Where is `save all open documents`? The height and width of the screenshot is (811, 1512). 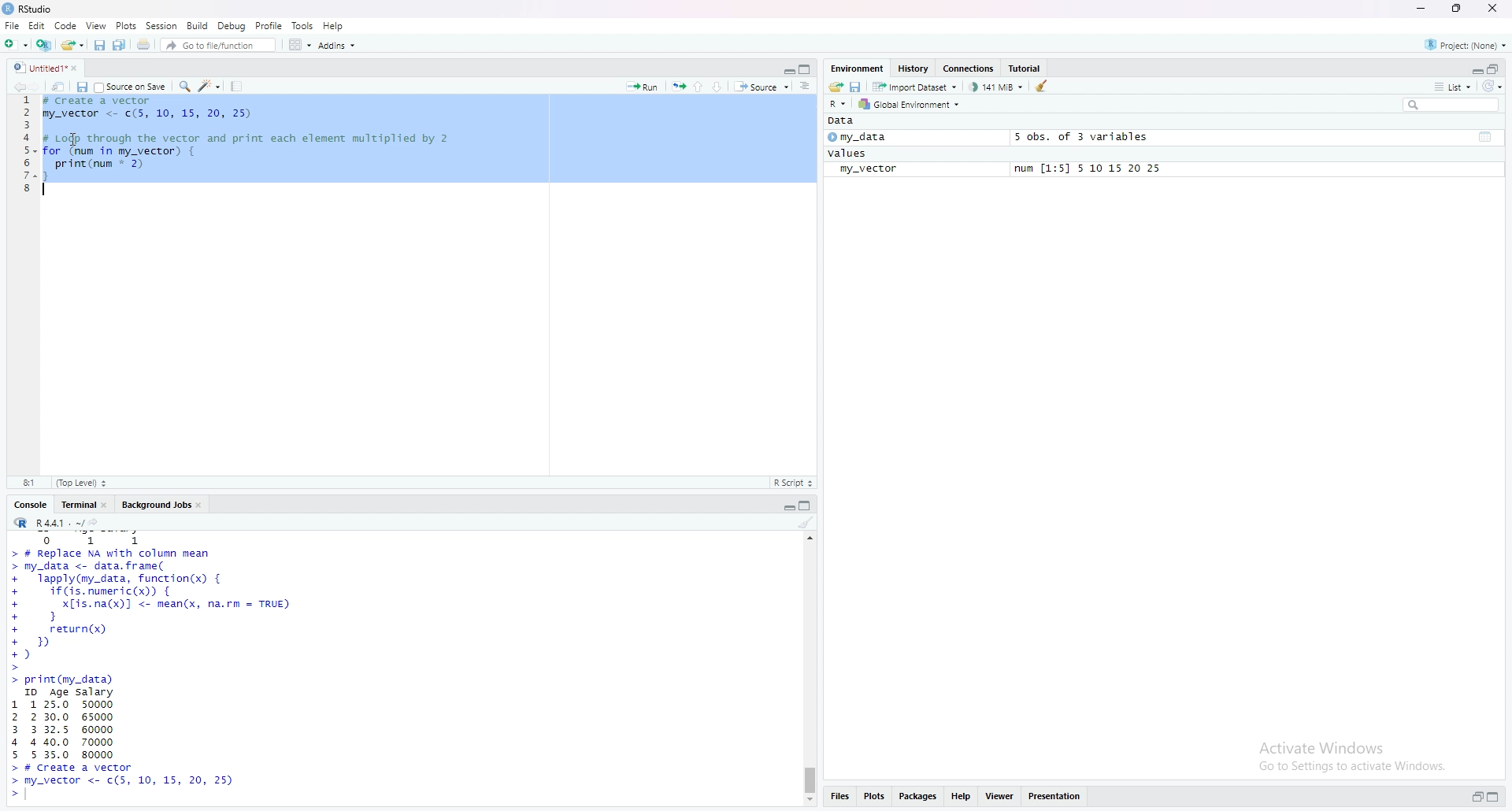 save all open documents is located at coordinates (120, 45).